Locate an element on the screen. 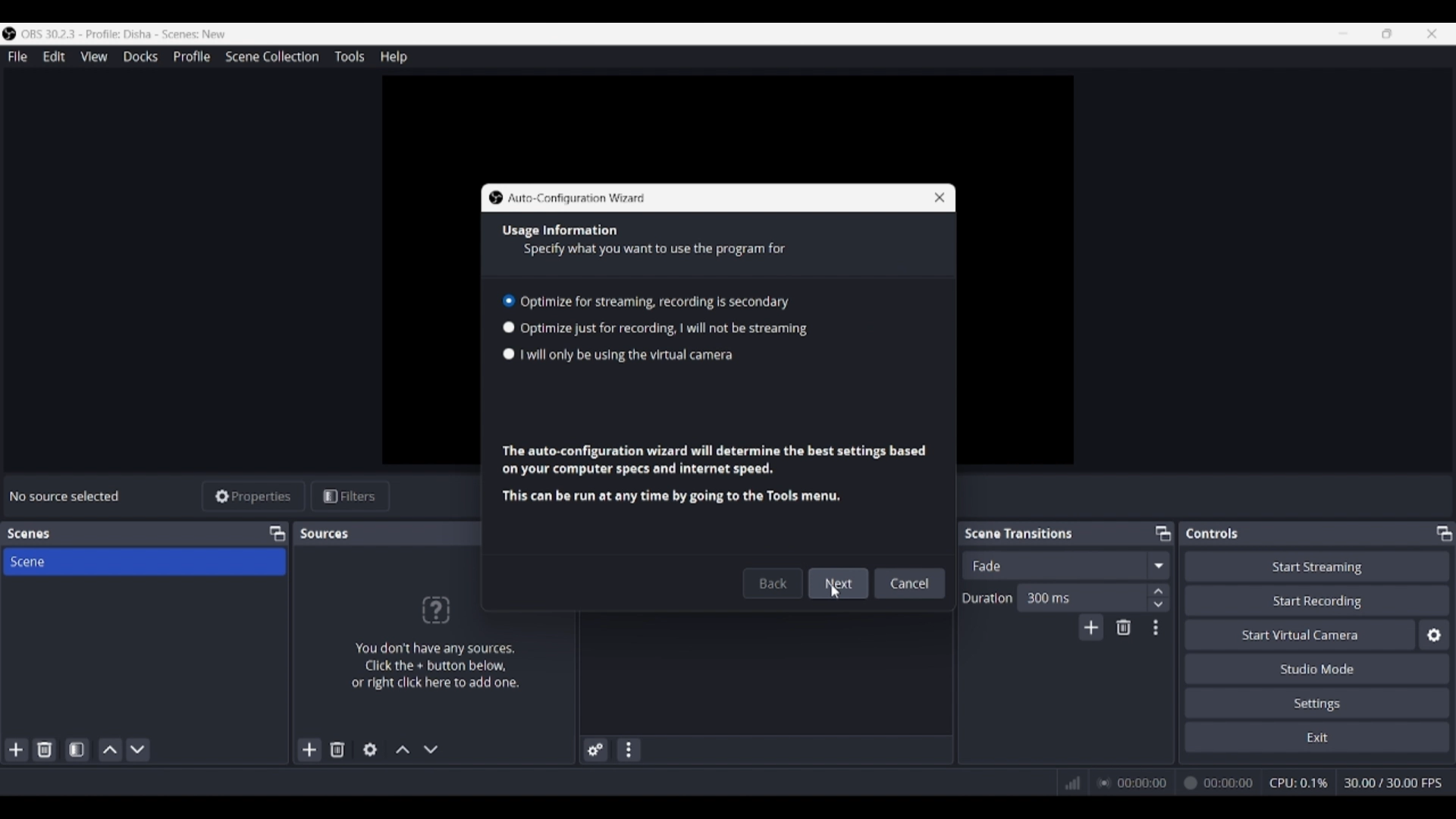 The width and height of the screenshot is (1456, 819). Panel title is located at coordinates (1019, 532).